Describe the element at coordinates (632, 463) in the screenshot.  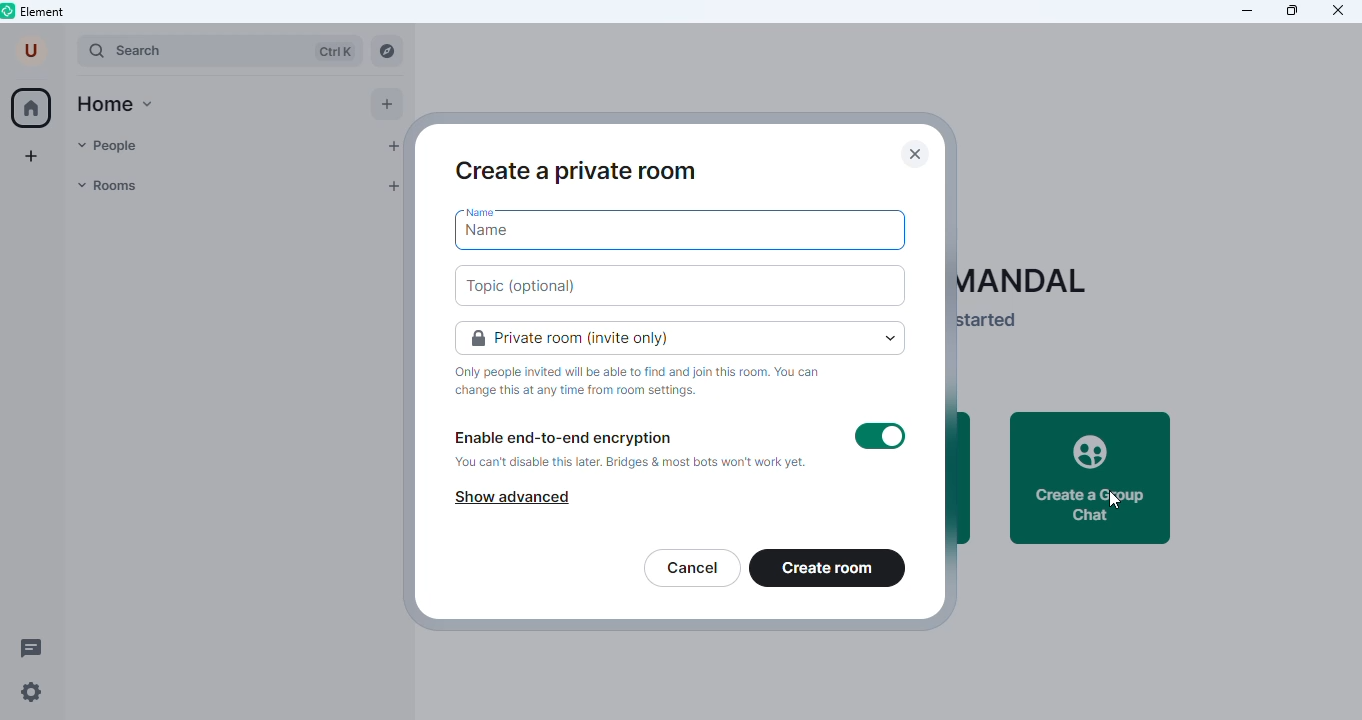
I see `you can disable this later. Bridges & most bots won't work yet.` at that location.